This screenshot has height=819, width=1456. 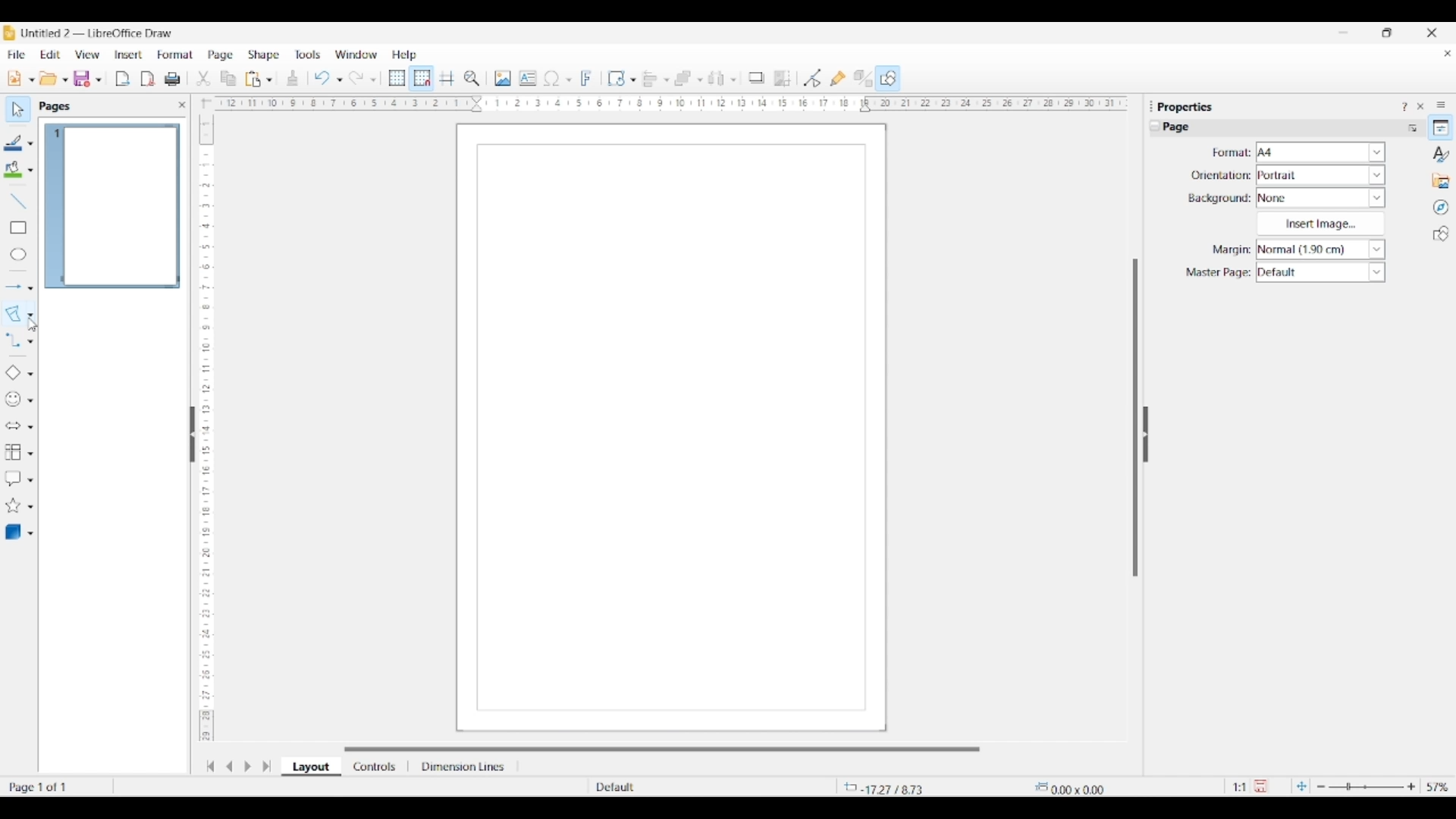 I want to click on Current page, so click(x=111, y=206).